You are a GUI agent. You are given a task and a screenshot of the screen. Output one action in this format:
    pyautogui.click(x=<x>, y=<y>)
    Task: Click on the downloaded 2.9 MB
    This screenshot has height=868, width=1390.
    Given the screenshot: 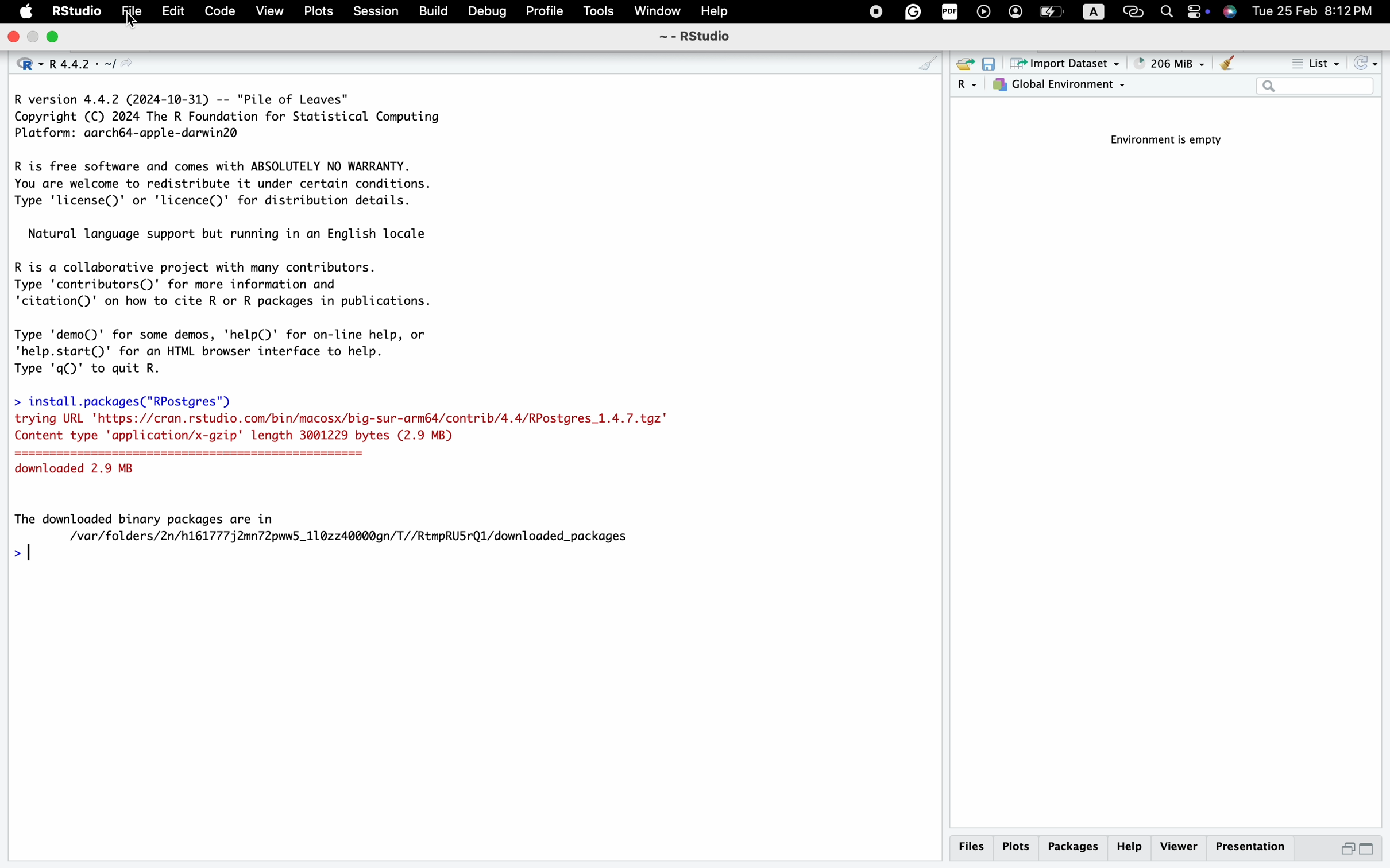 What is the action you would take?
    pyautogui.click(x=75, y=471)
    